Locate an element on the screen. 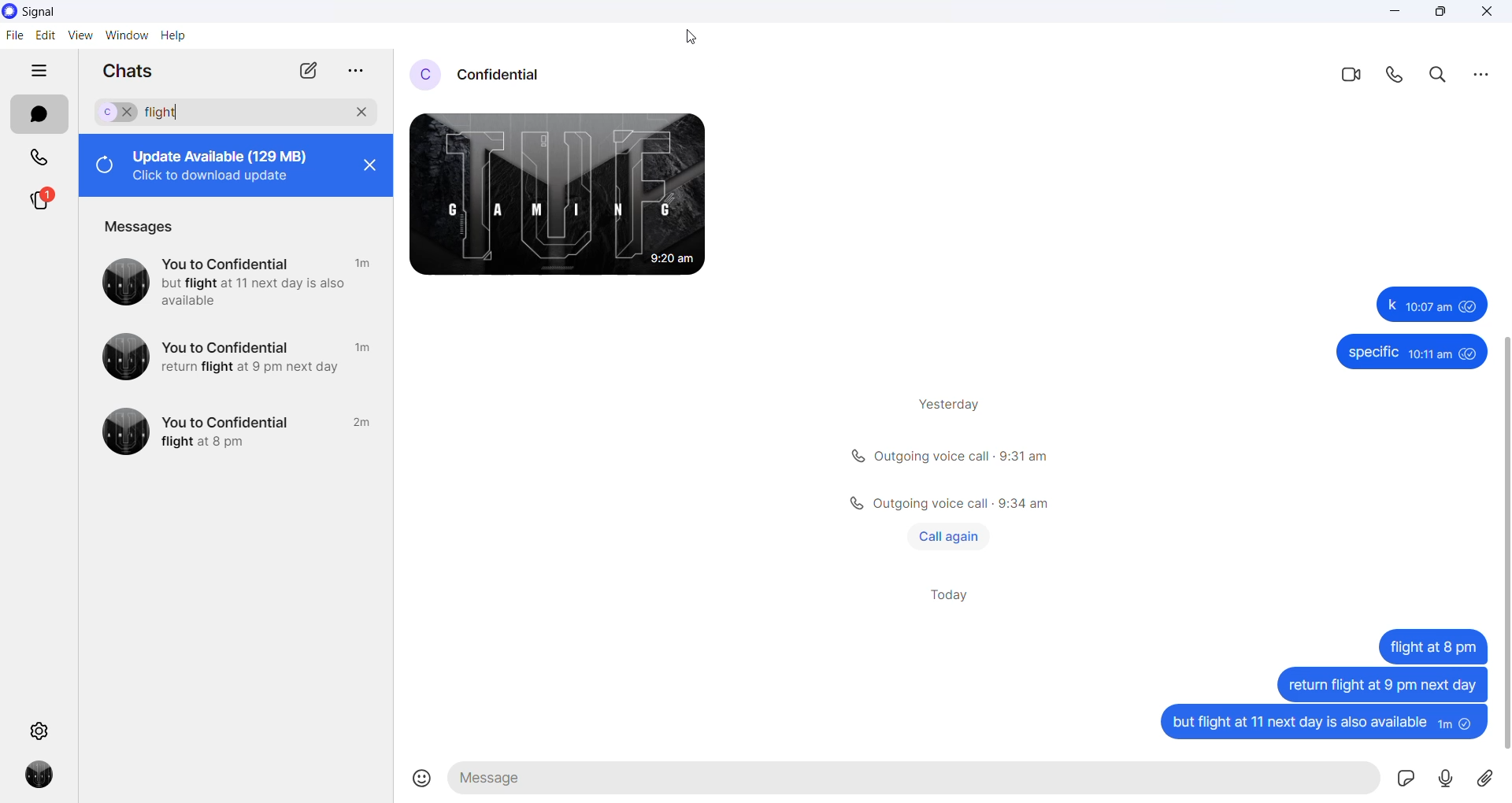 The height and width of the screenshot is (803, 1512). call again is located at coordinates (949, 535).